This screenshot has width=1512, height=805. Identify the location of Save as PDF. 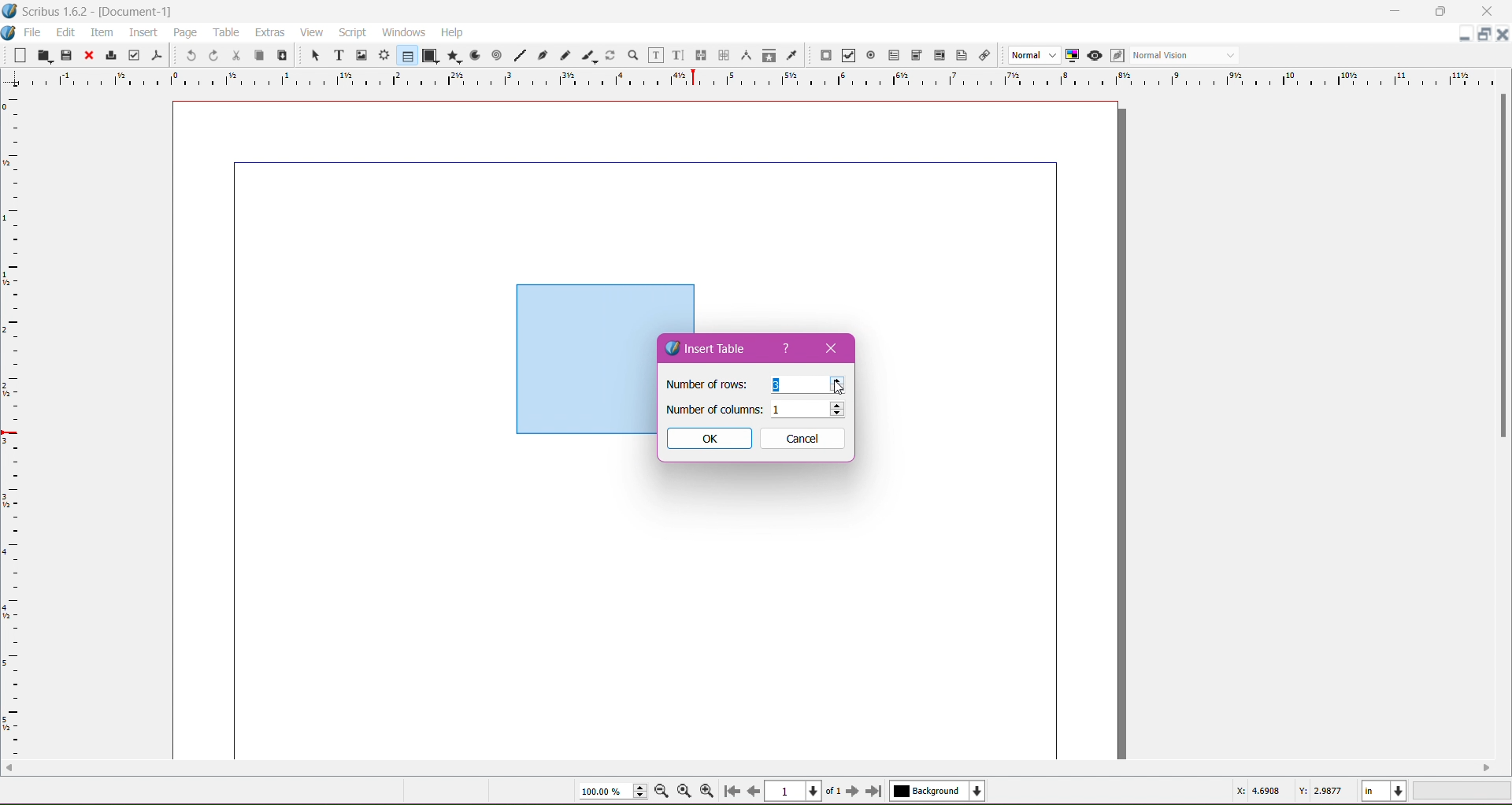
(159, 52).